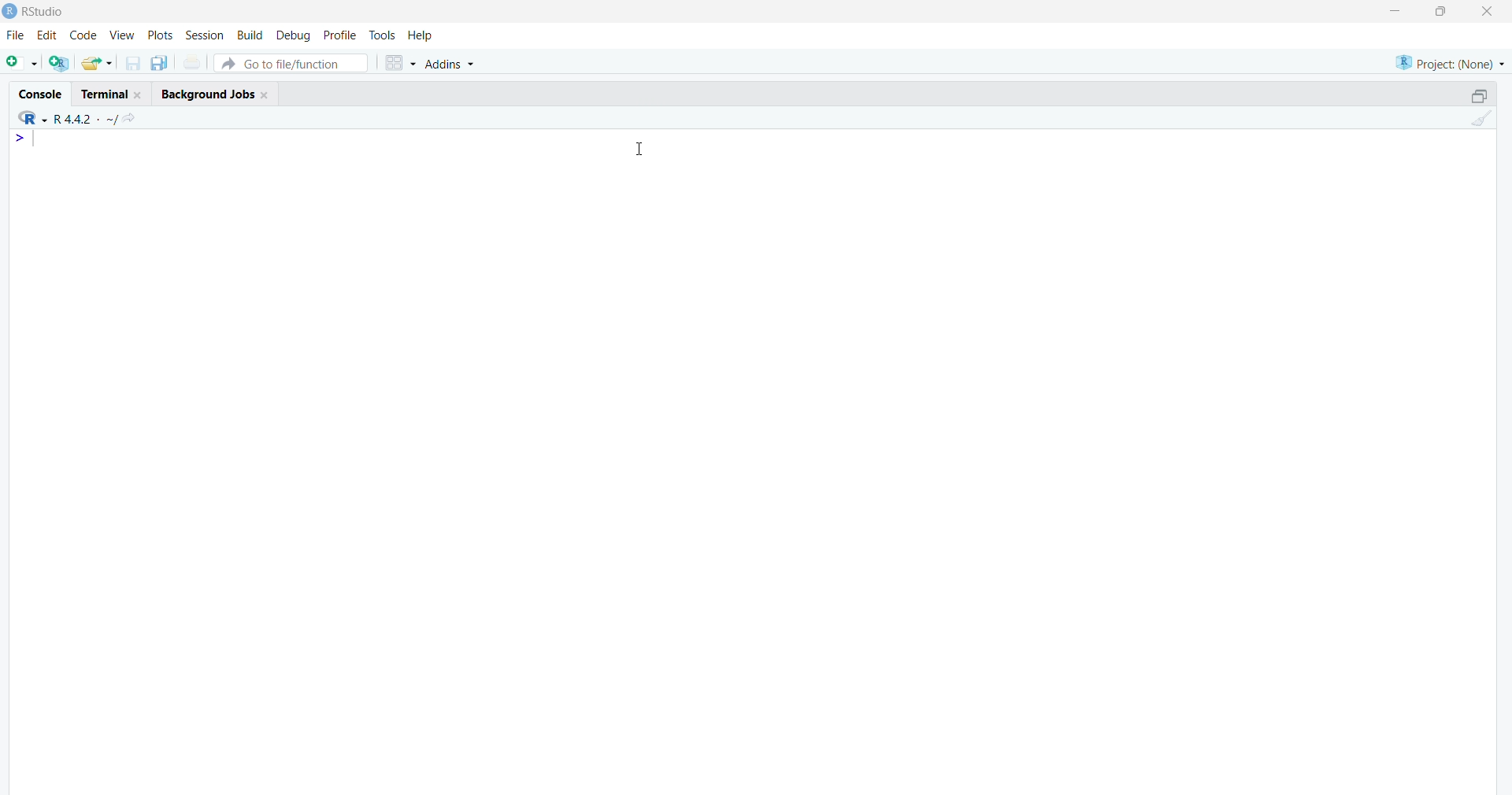  I want to click on View, so click(123, 35).